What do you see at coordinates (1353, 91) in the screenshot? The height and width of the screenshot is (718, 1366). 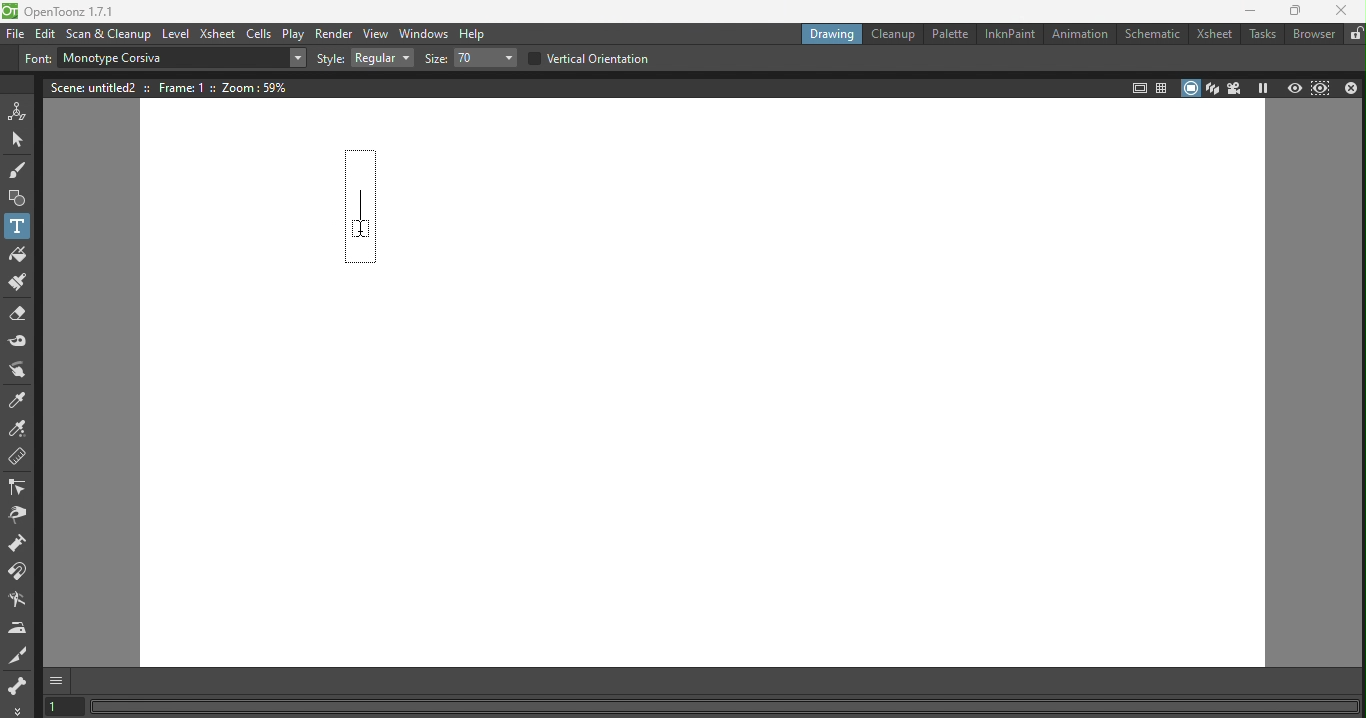 I see `Close` at bounding box center [1353, 91].